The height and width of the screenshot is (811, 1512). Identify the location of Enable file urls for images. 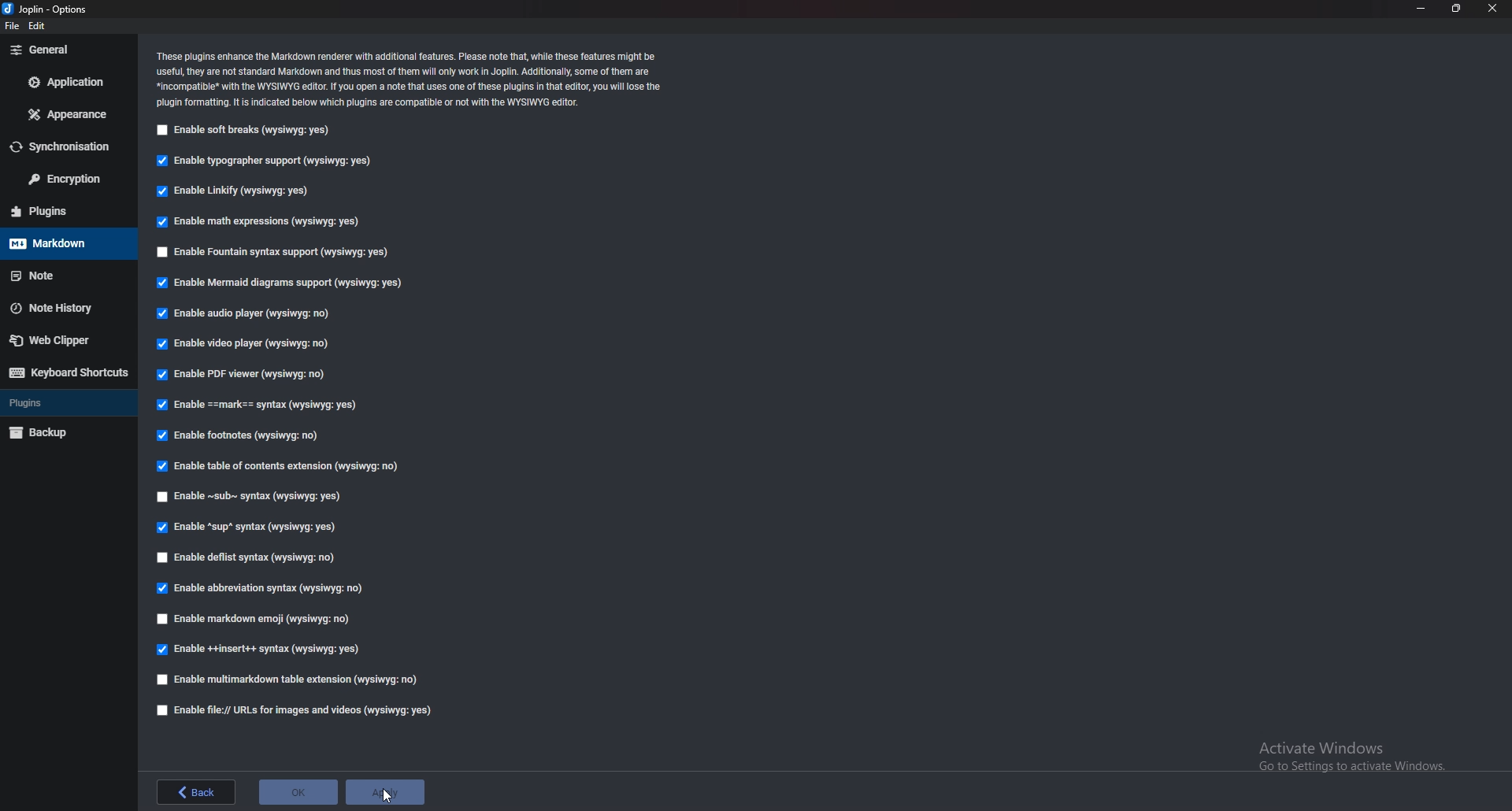
(301, 710).